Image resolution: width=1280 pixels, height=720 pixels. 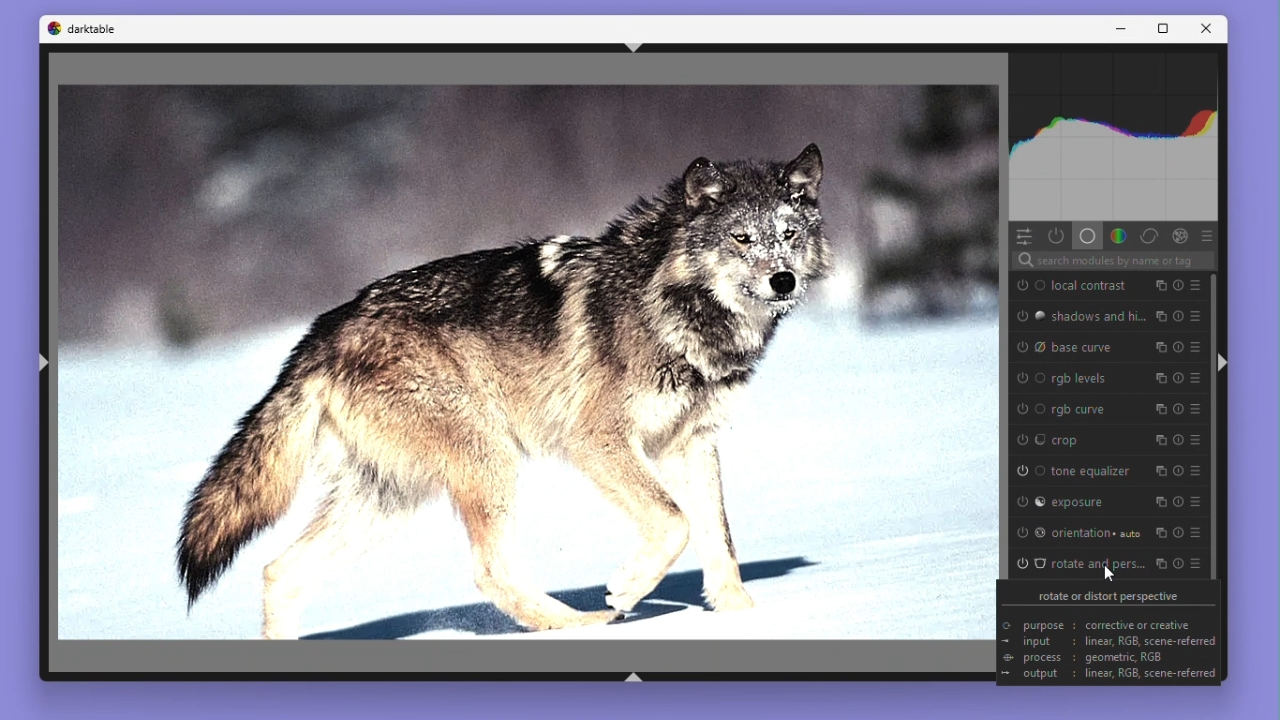 I want to click on Histogram, so click(x=1118, y=135).